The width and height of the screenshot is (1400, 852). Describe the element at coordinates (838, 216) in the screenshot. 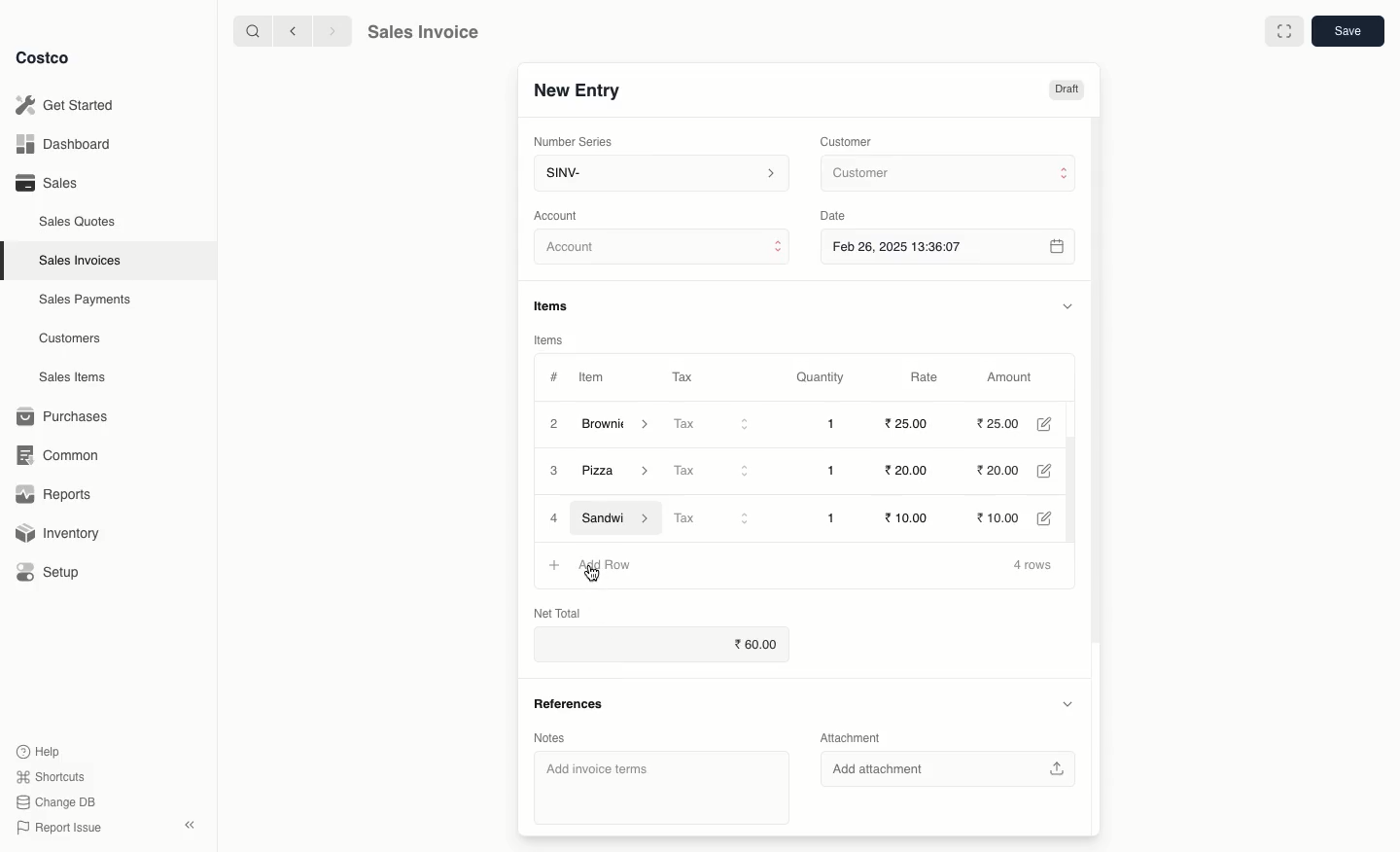

I see `Date` at that location.